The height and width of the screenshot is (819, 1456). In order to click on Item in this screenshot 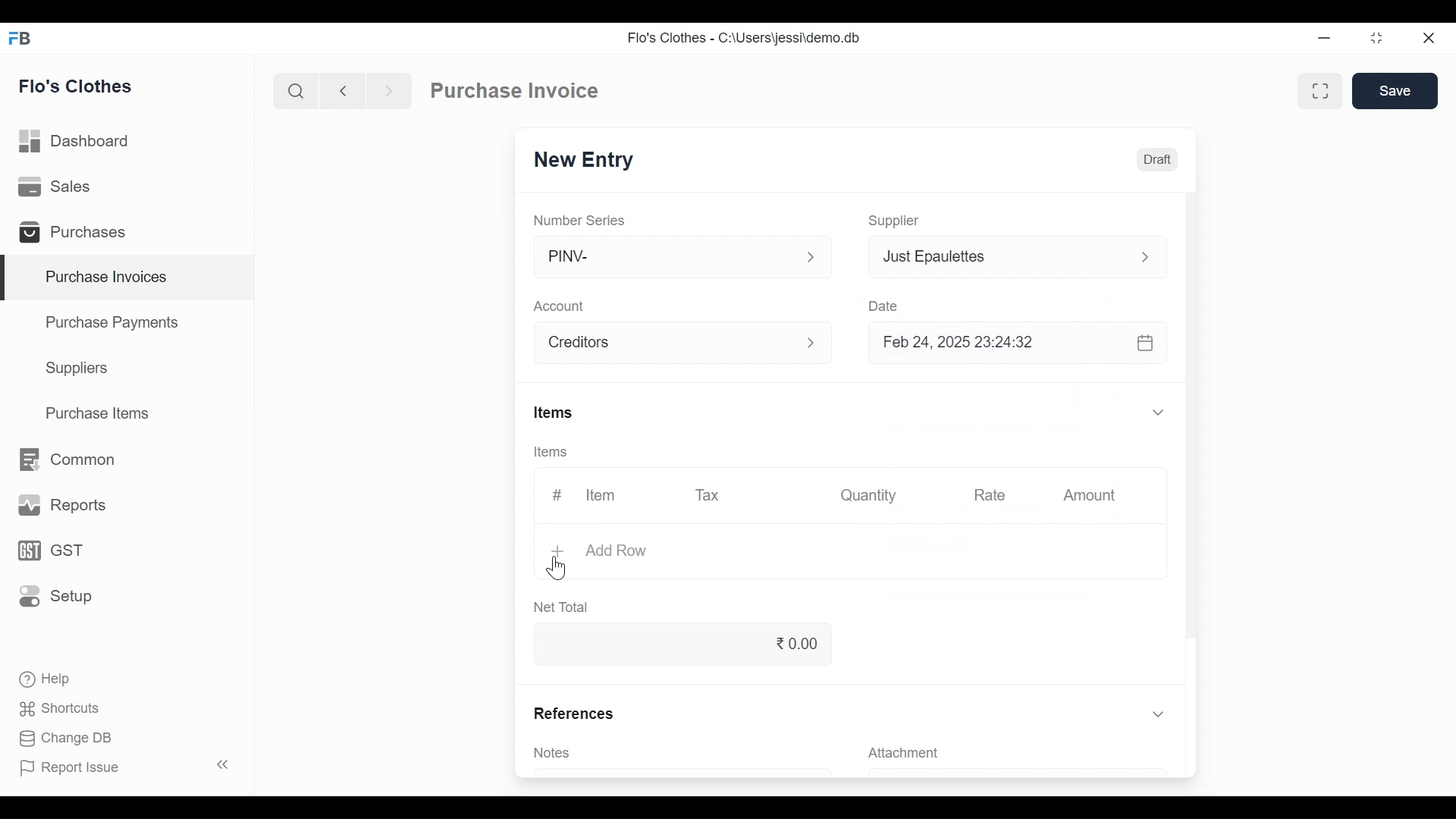, I will do `click(601, 494)`.